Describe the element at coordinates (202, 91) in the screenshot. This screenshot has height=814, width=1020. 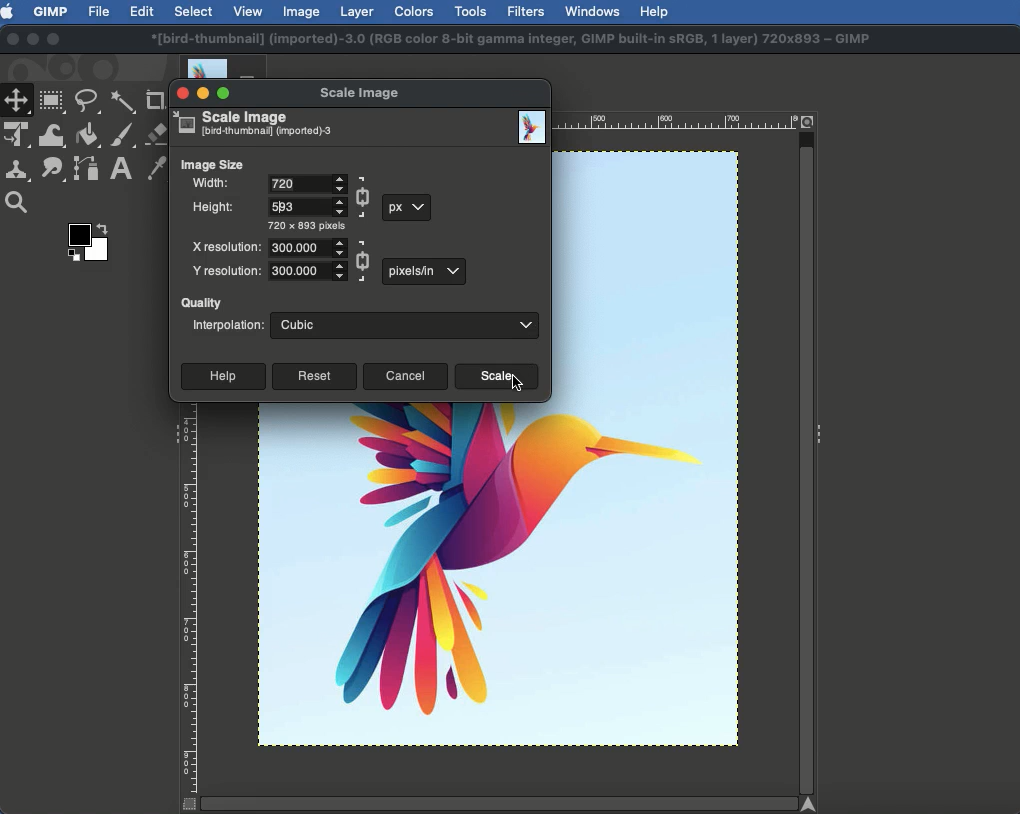
I see `Minimize` at that location.